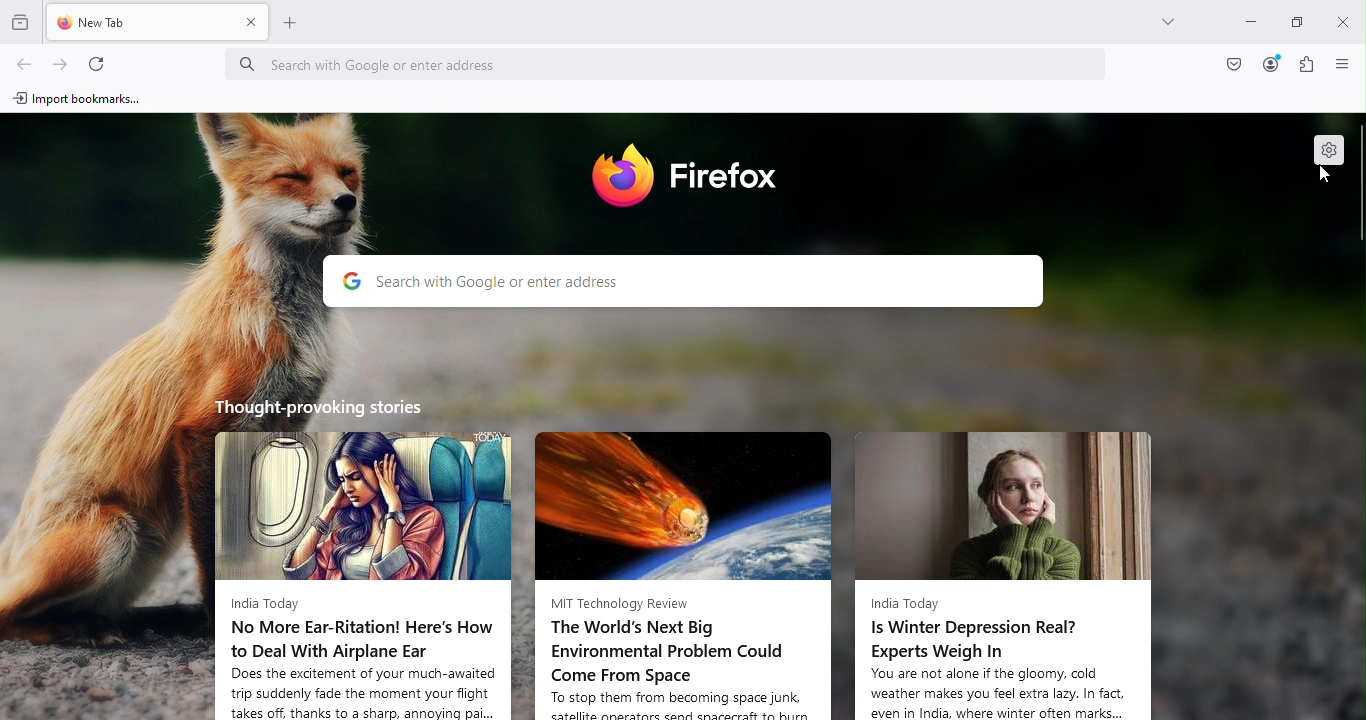 The width and height of the screenshot is (1366, 720). I want to click on Reload the current page, so click(97, 62).